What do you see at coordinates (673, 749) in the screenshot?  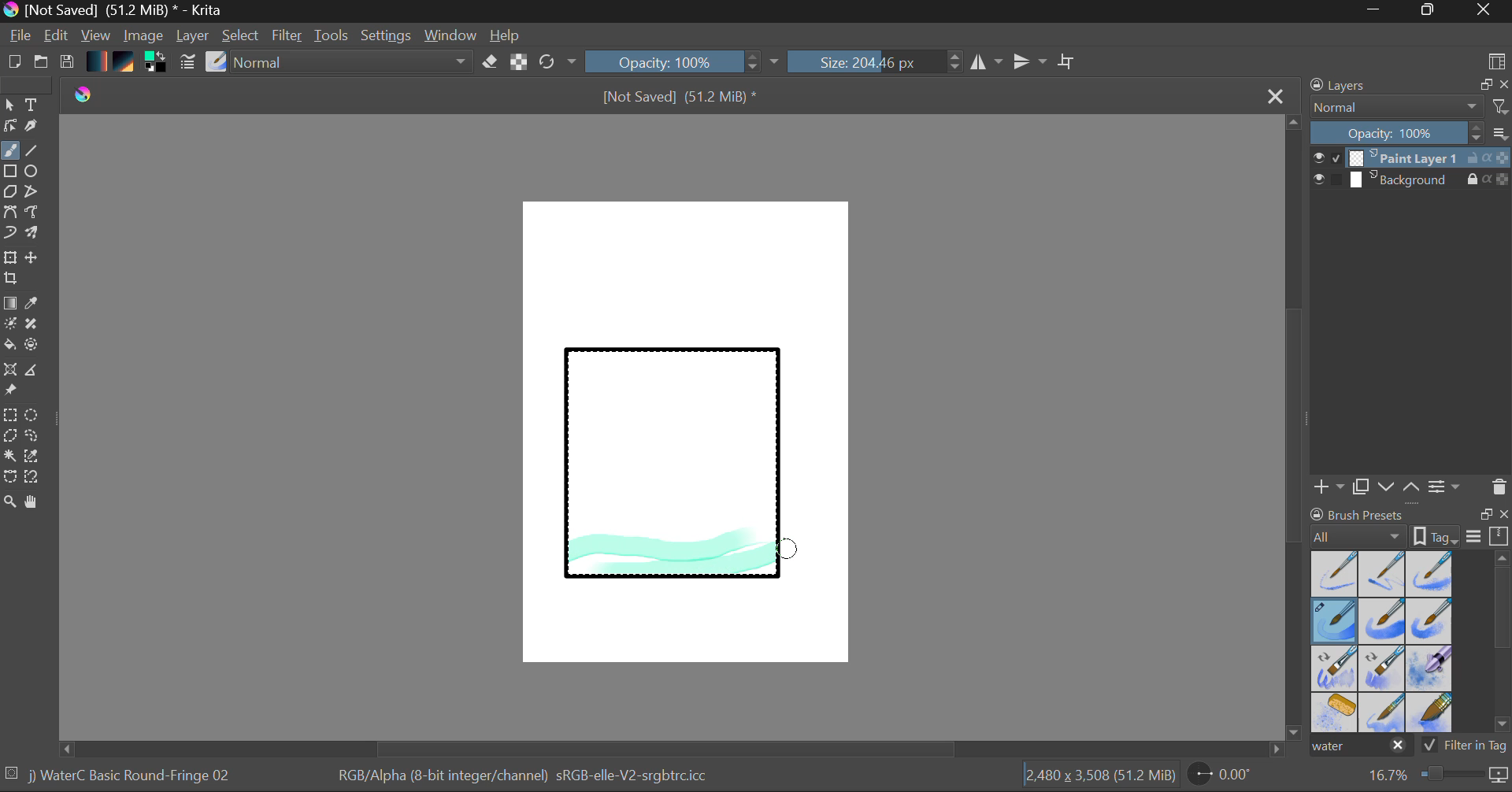 I see `Scroll Bar` at bounding box center [673, 749].